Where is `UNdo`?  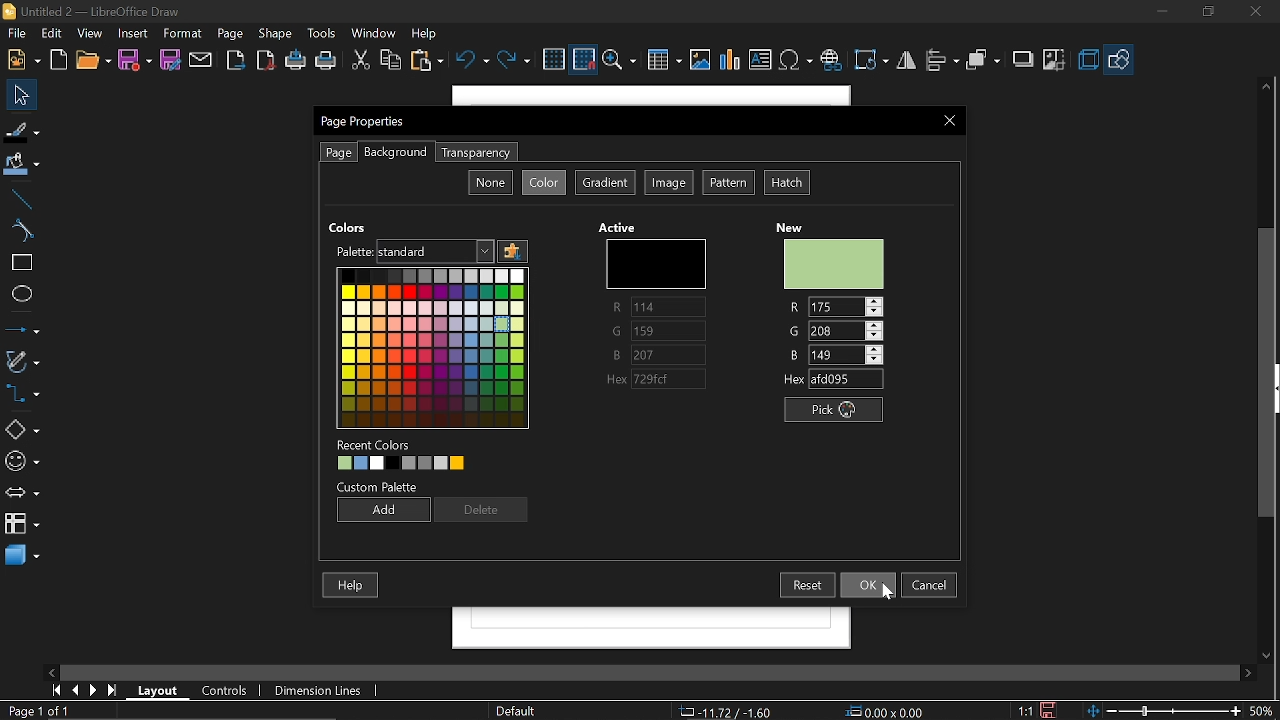 UNdo is located at coordinates (471, 61).